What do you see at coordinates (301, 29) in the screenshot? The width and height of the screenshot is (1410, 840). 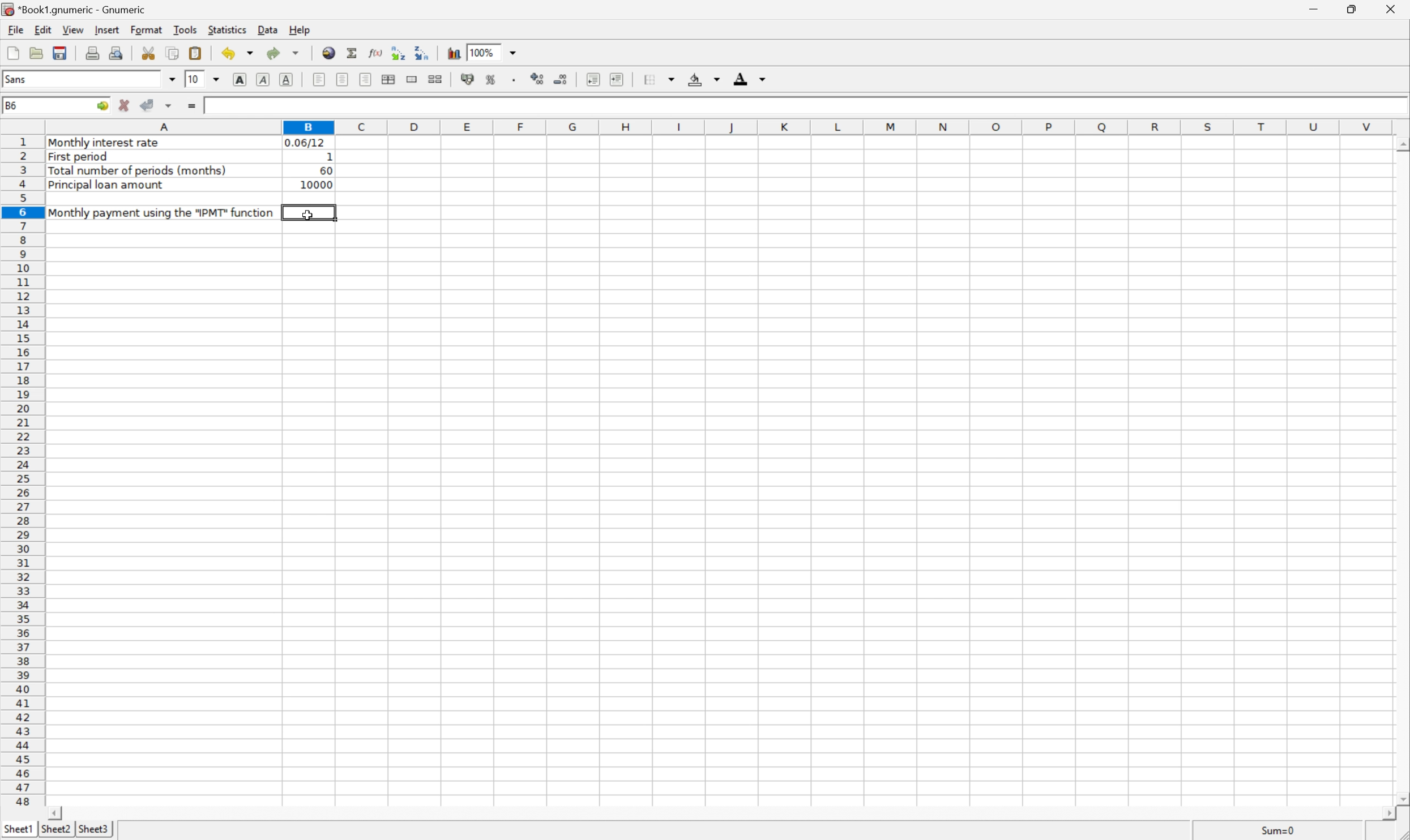 I see `Help` at bounding box center [301, 29].